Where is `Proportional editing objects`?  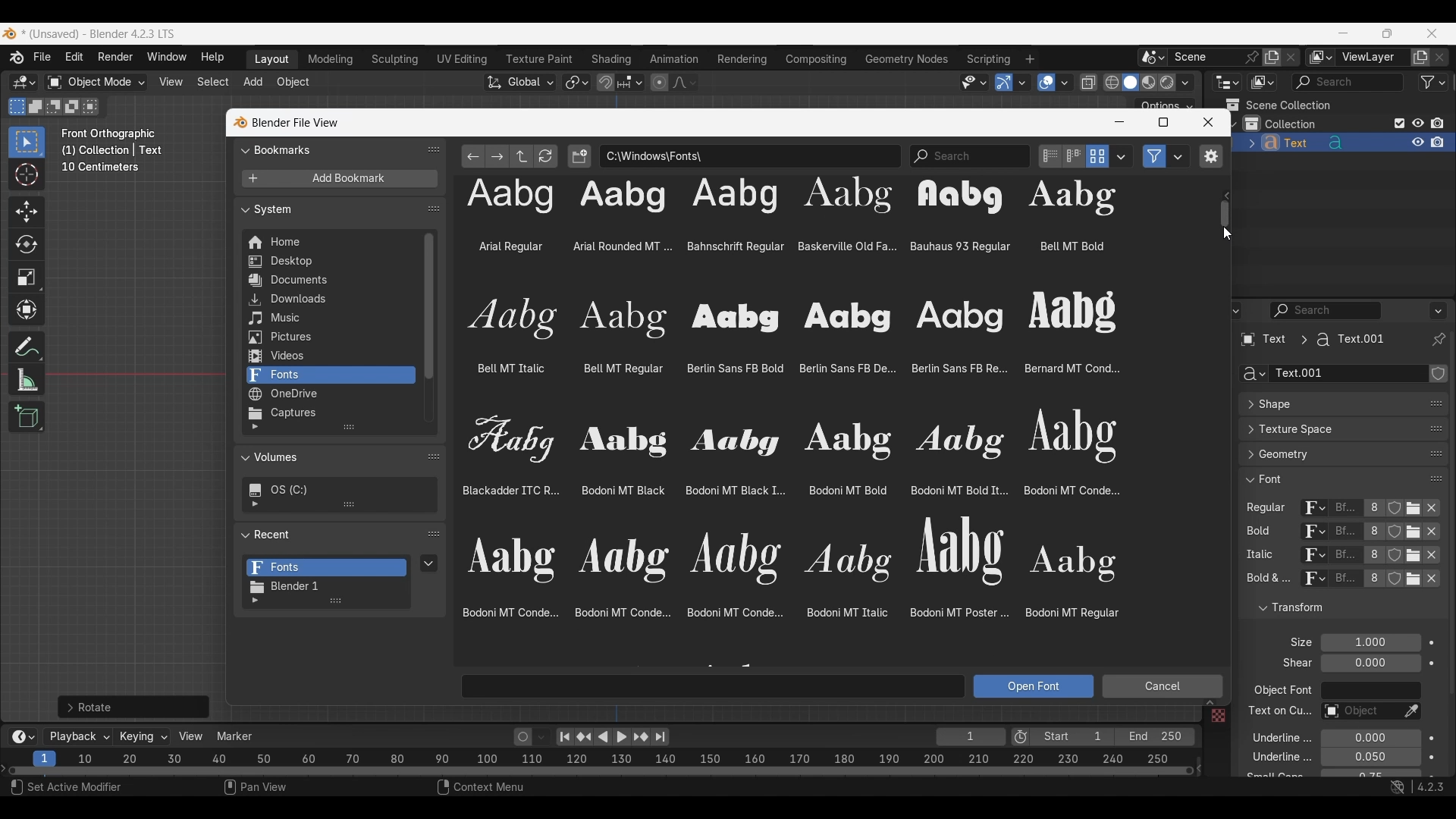 Proportional editing objects is located at coordinates (659, 82).